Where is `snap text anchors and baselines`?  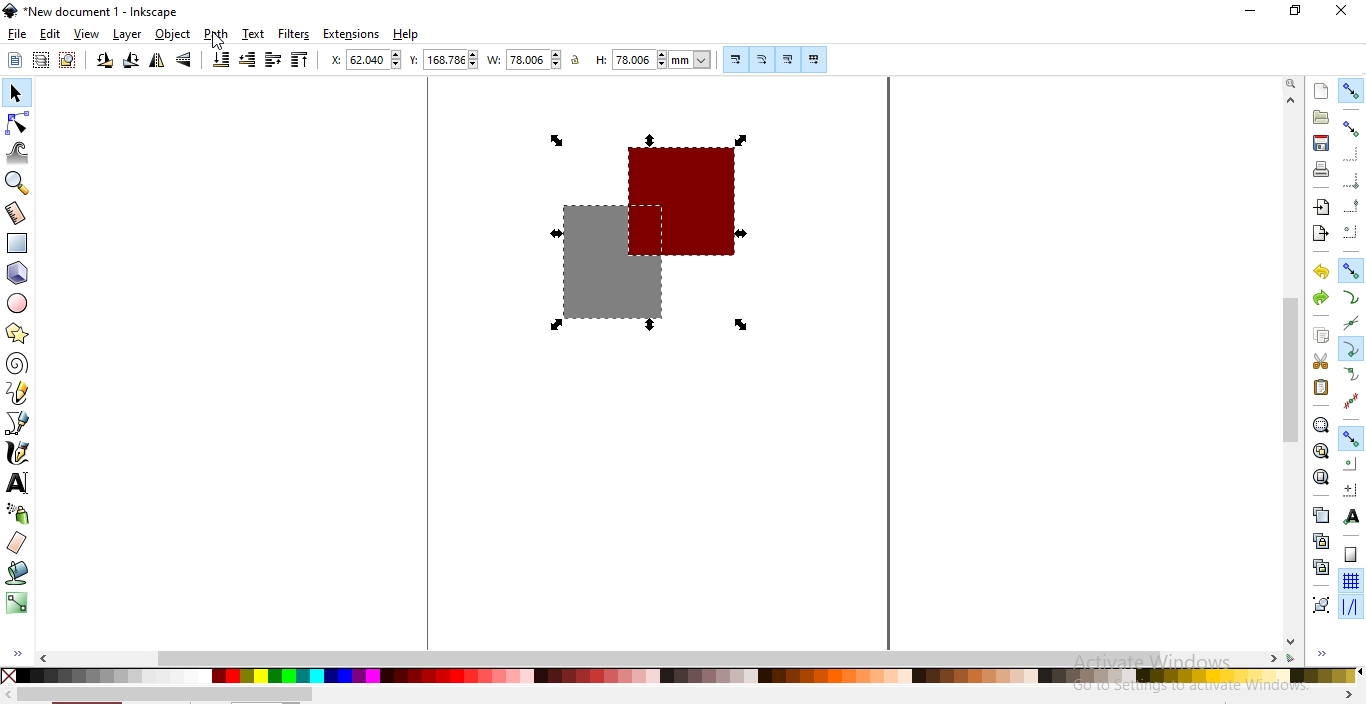 snap text anchors and baselines is located at coordinates (1350, 518).